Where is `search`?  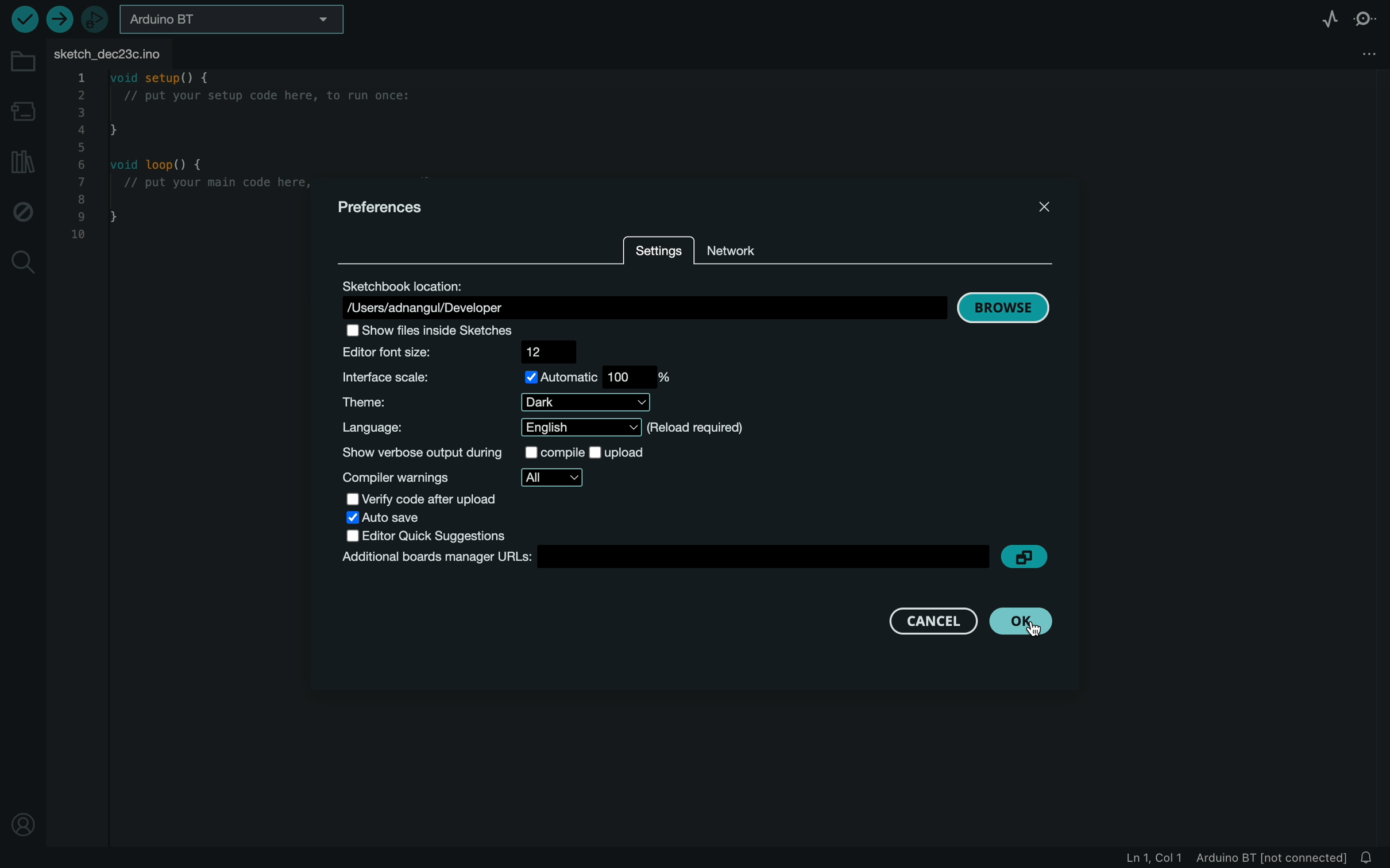 search is located at coordinates (24, 262).